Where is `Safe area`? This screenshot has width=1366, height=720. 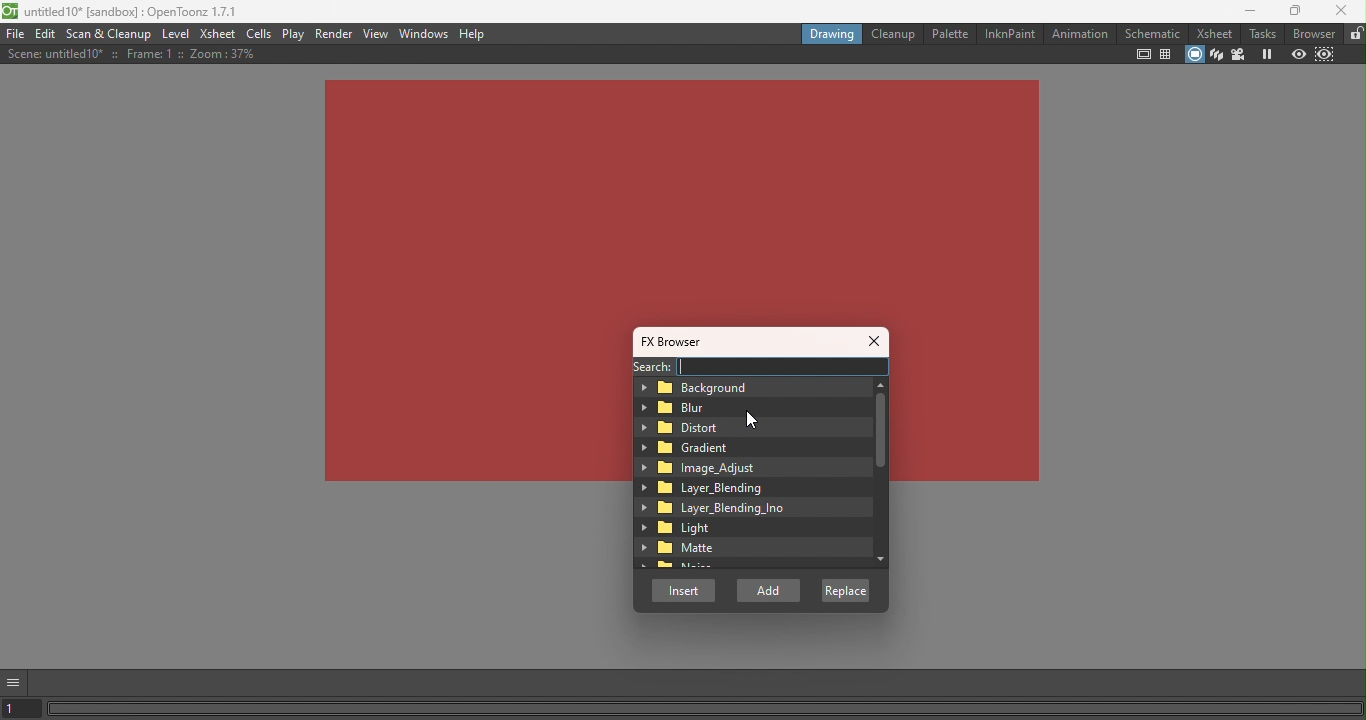
Safe area is located at coordinates (1143, 54).